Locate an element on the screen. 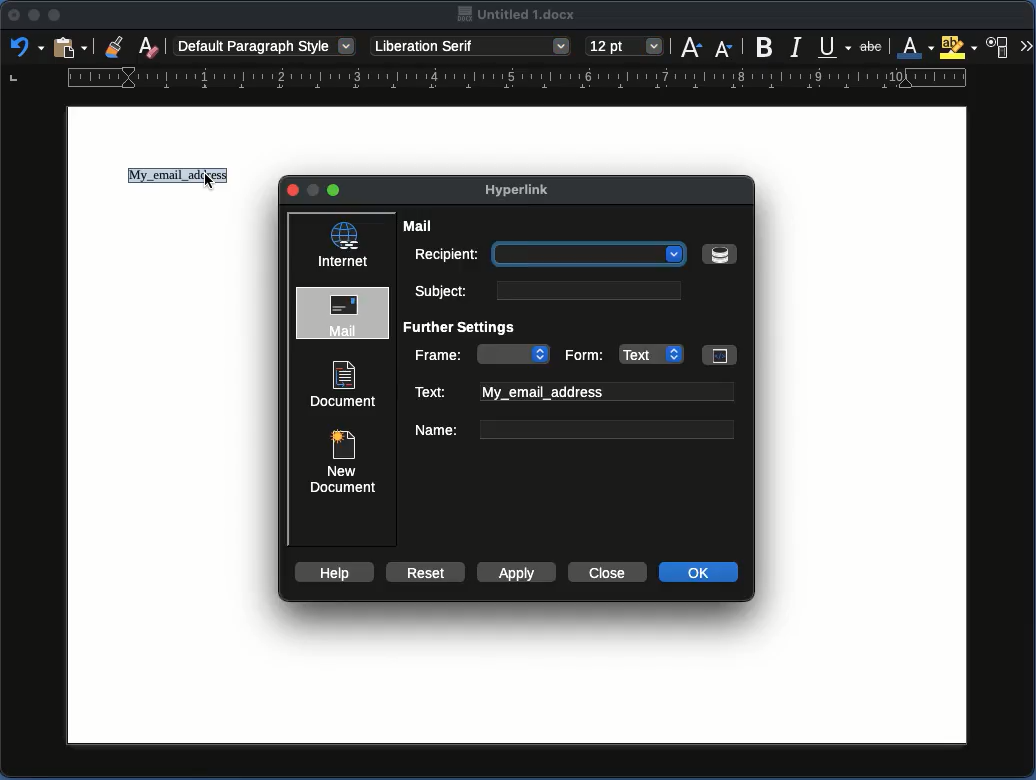  Apply is located at coordinates (514, 572).